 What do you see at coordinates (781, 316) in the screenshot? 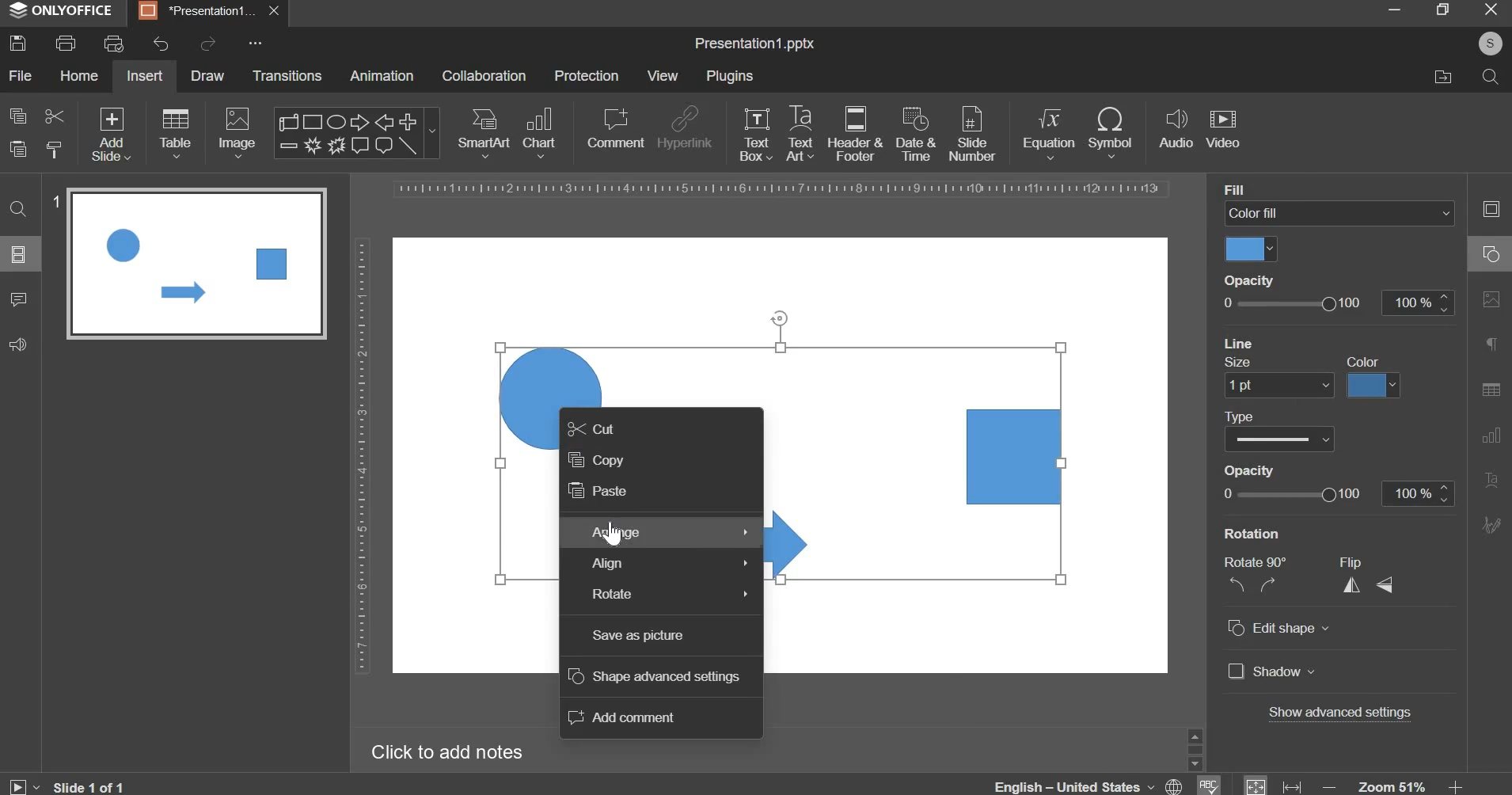
I see `rotate` at bounding box center [781, 316].